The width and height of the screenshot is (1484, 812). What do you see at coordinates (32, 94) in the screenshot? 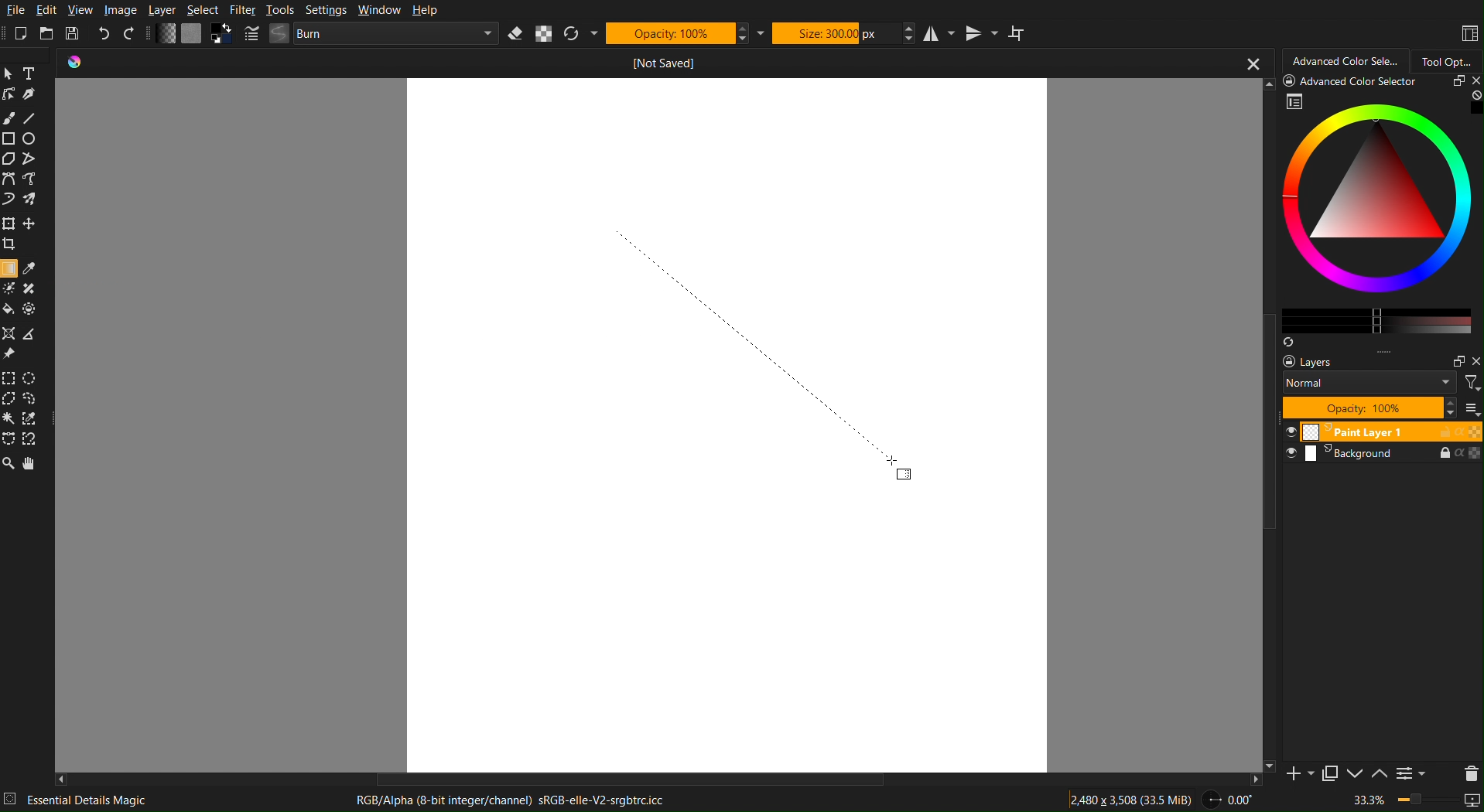
I see `Pen` at bounding box center [32, 94].